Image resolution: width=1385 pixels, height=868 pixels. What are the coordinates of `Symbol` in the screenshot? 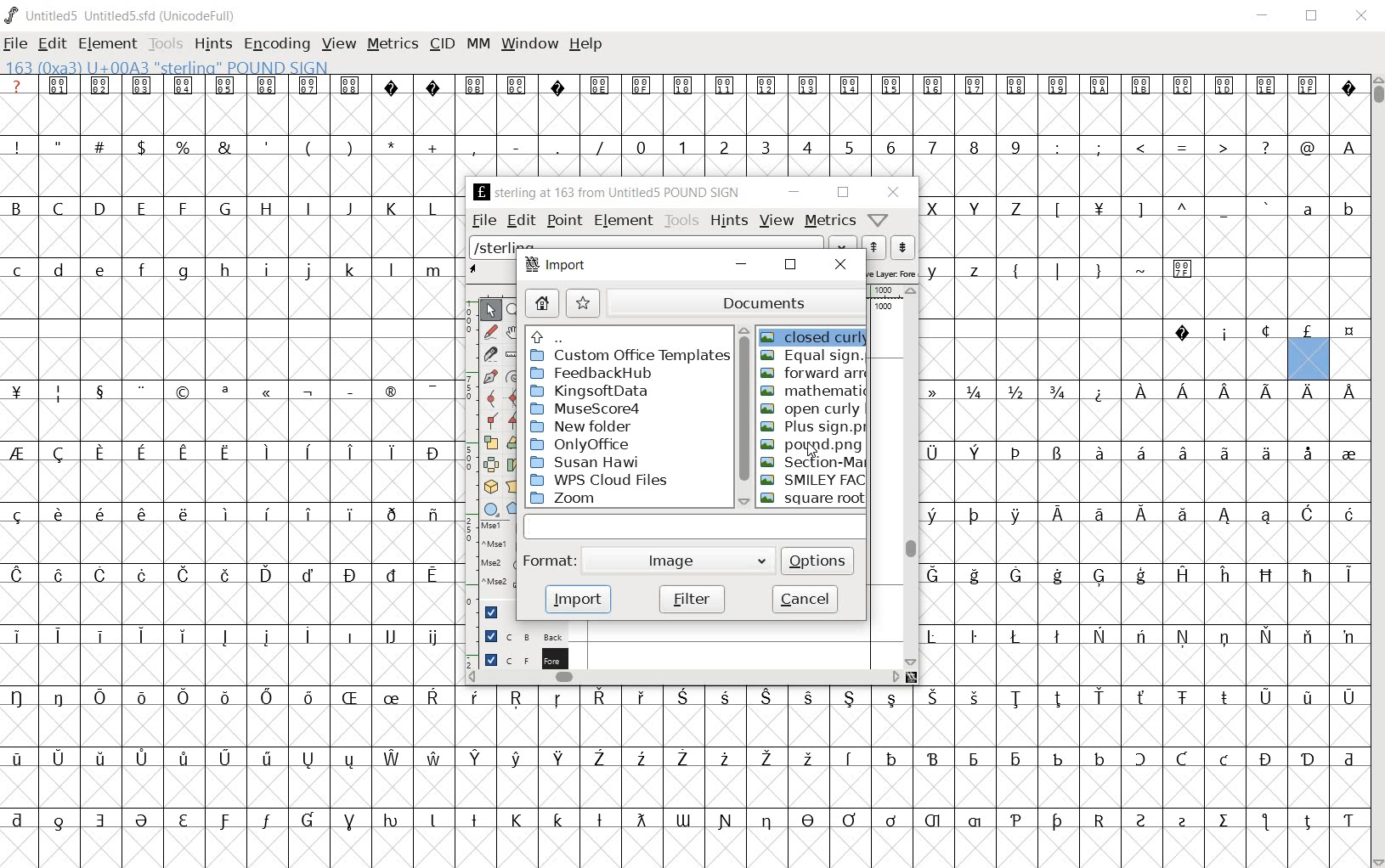 It's located at (768, 85).